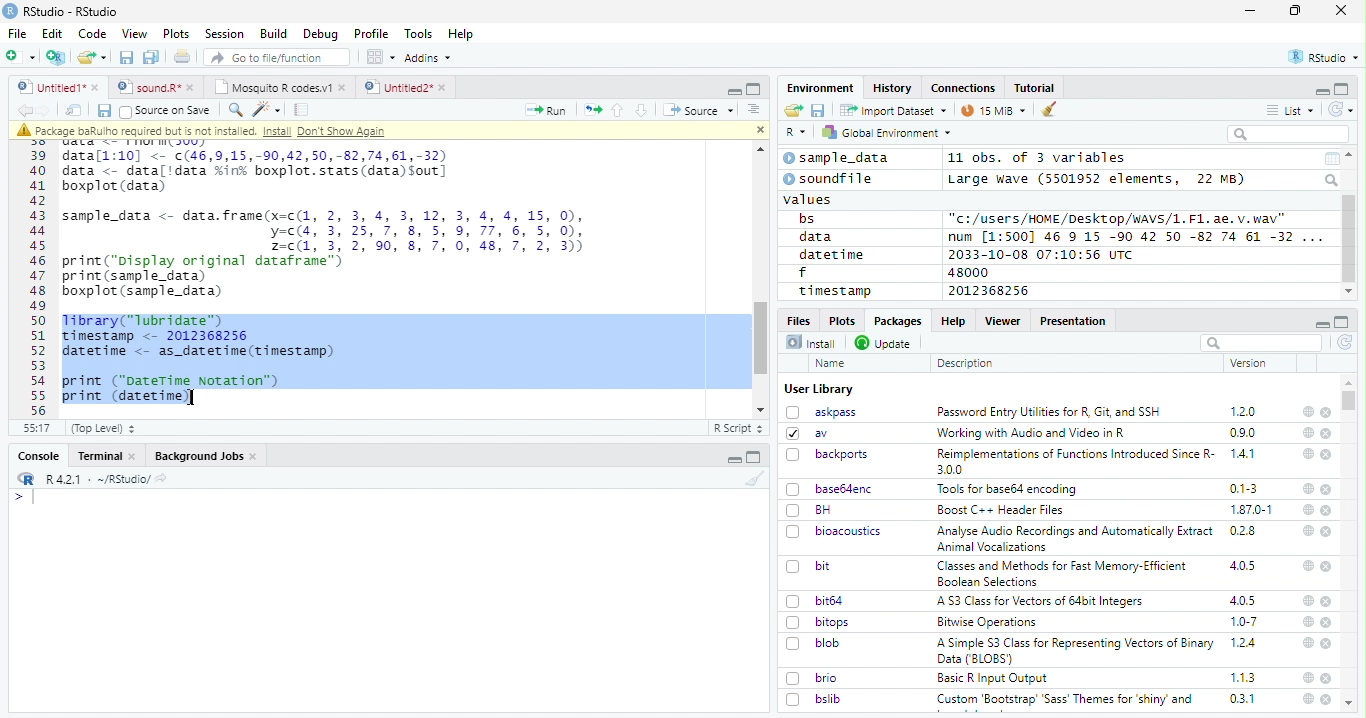 Image resolution: width=1366 pixels, height=718 pixels. Describe the element at coordinates (102, 428) in the screenshot. I see `(Top Level)` at that location.